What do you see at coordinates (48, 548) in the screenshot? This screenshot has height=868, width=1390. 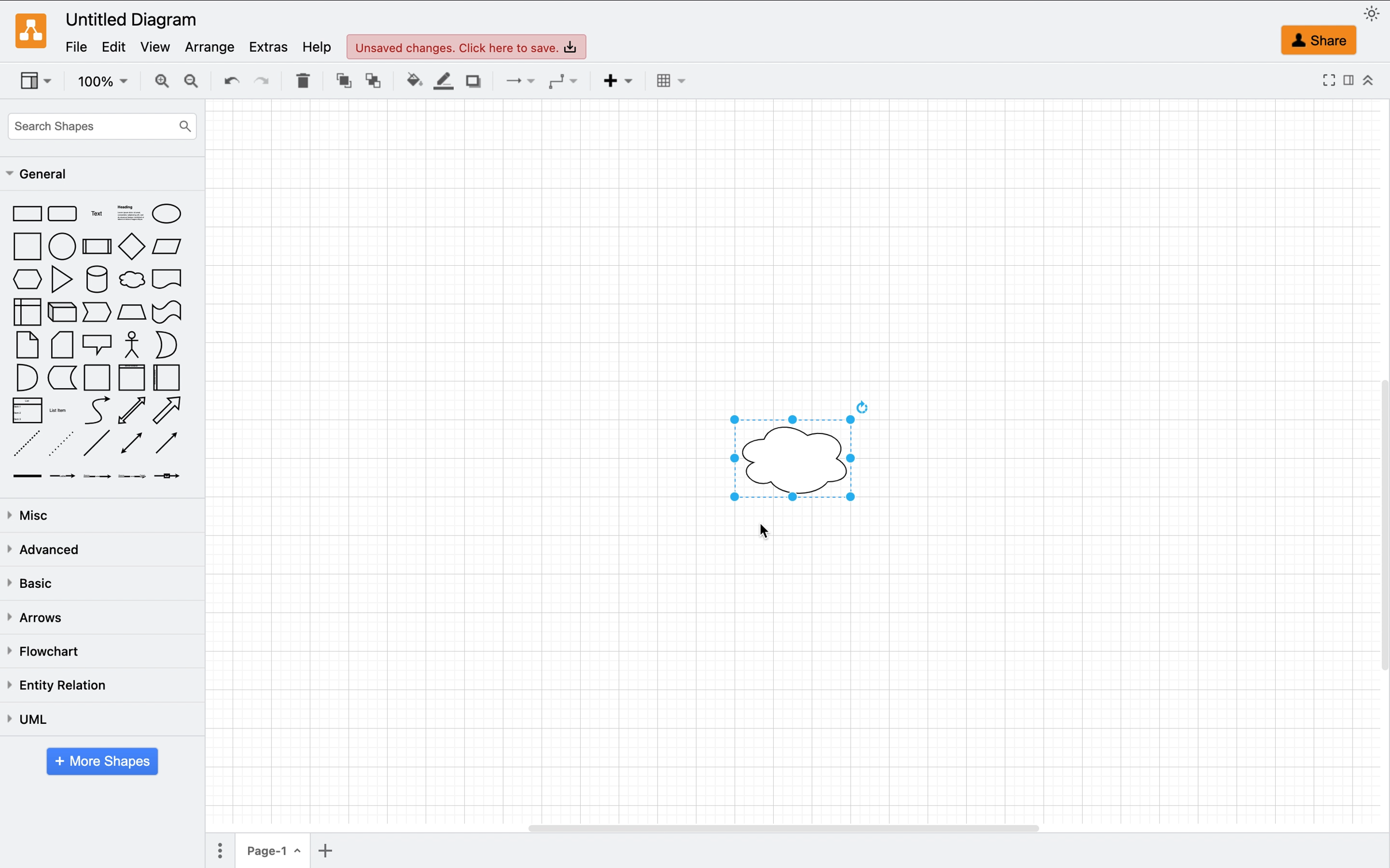 I see `advanced` at bounding box center [48, 548].